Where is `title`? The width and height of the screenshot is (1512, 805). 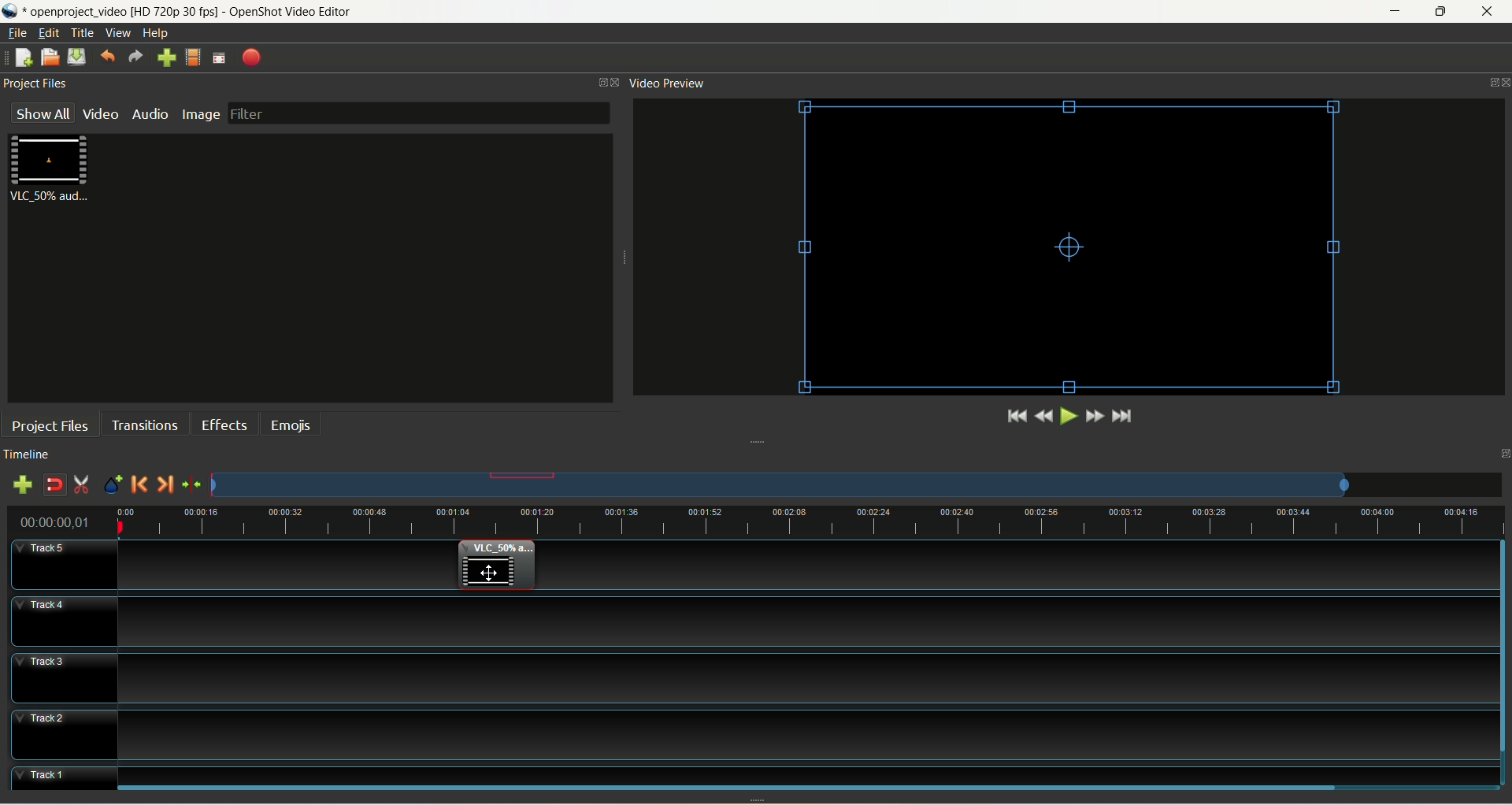
title is located at coordinates (83, 33).